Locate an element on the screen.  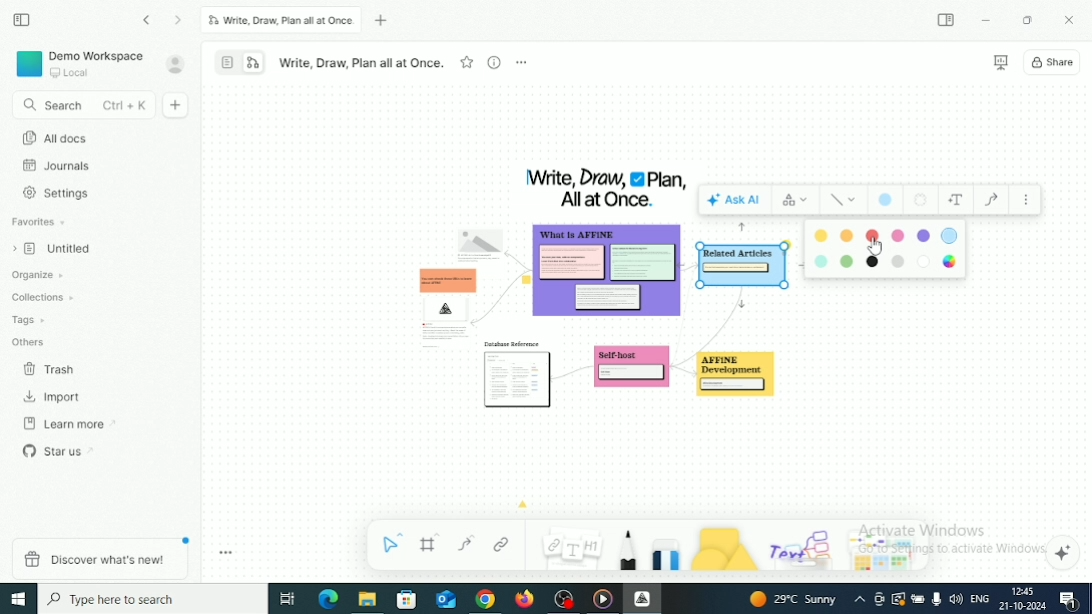
Switch is located at coordinates (240, 61).